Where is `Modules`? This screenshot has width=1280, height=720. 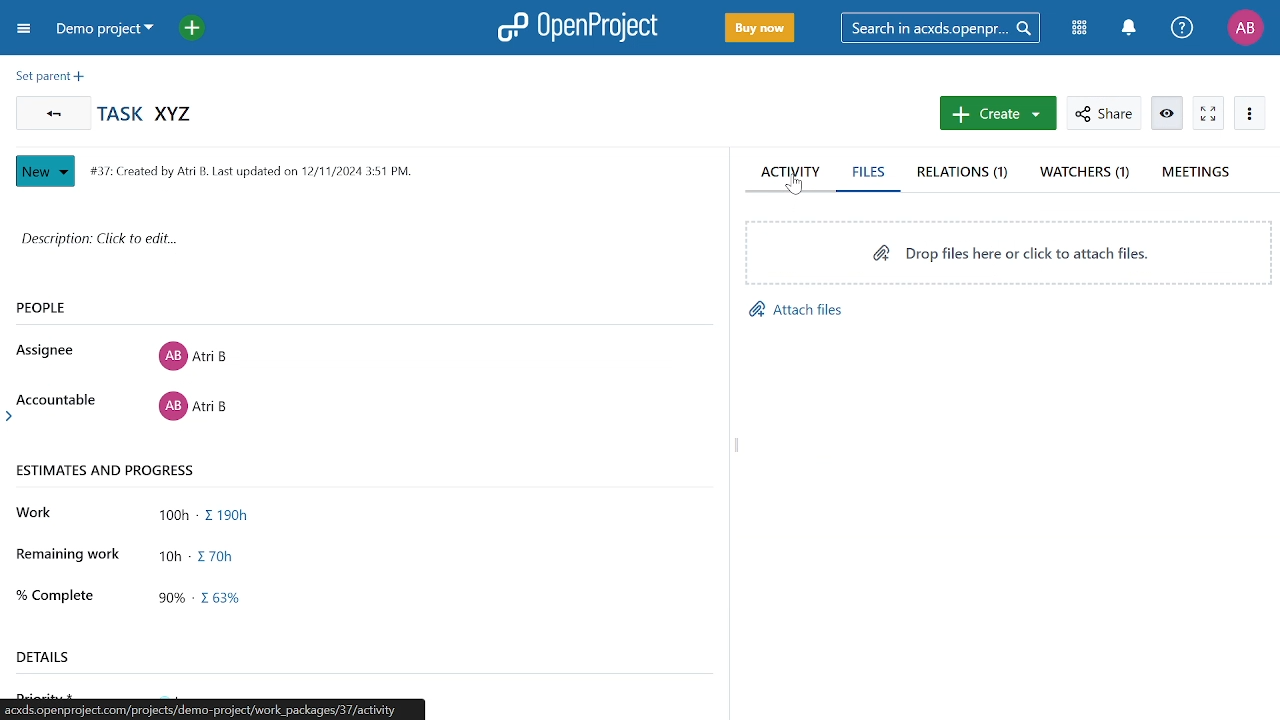
Modules is located at coordinates (1079, 28).